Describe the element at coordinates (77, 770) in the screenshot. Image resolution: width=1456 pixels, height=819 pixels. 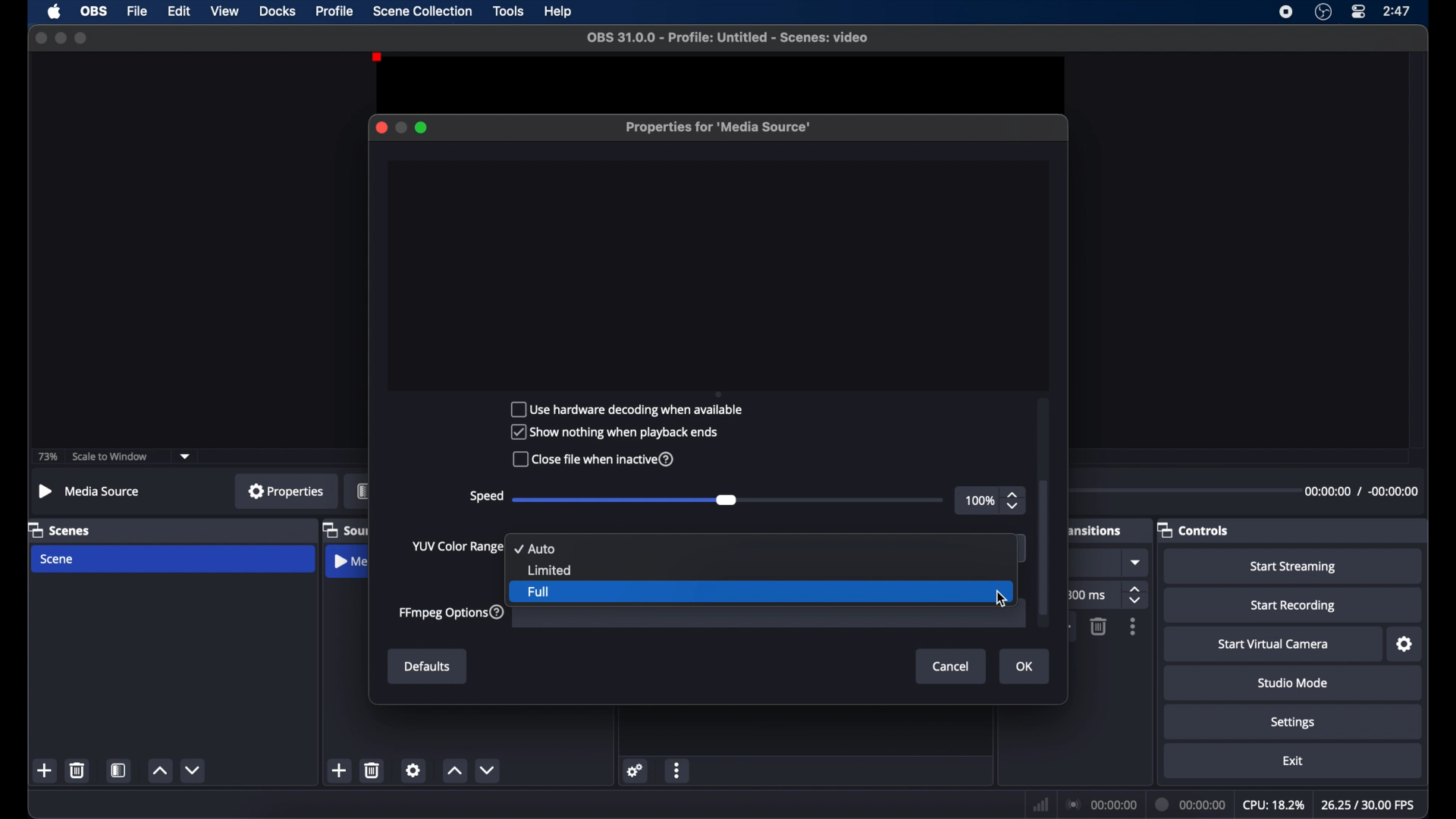
I see `delete` at that location.